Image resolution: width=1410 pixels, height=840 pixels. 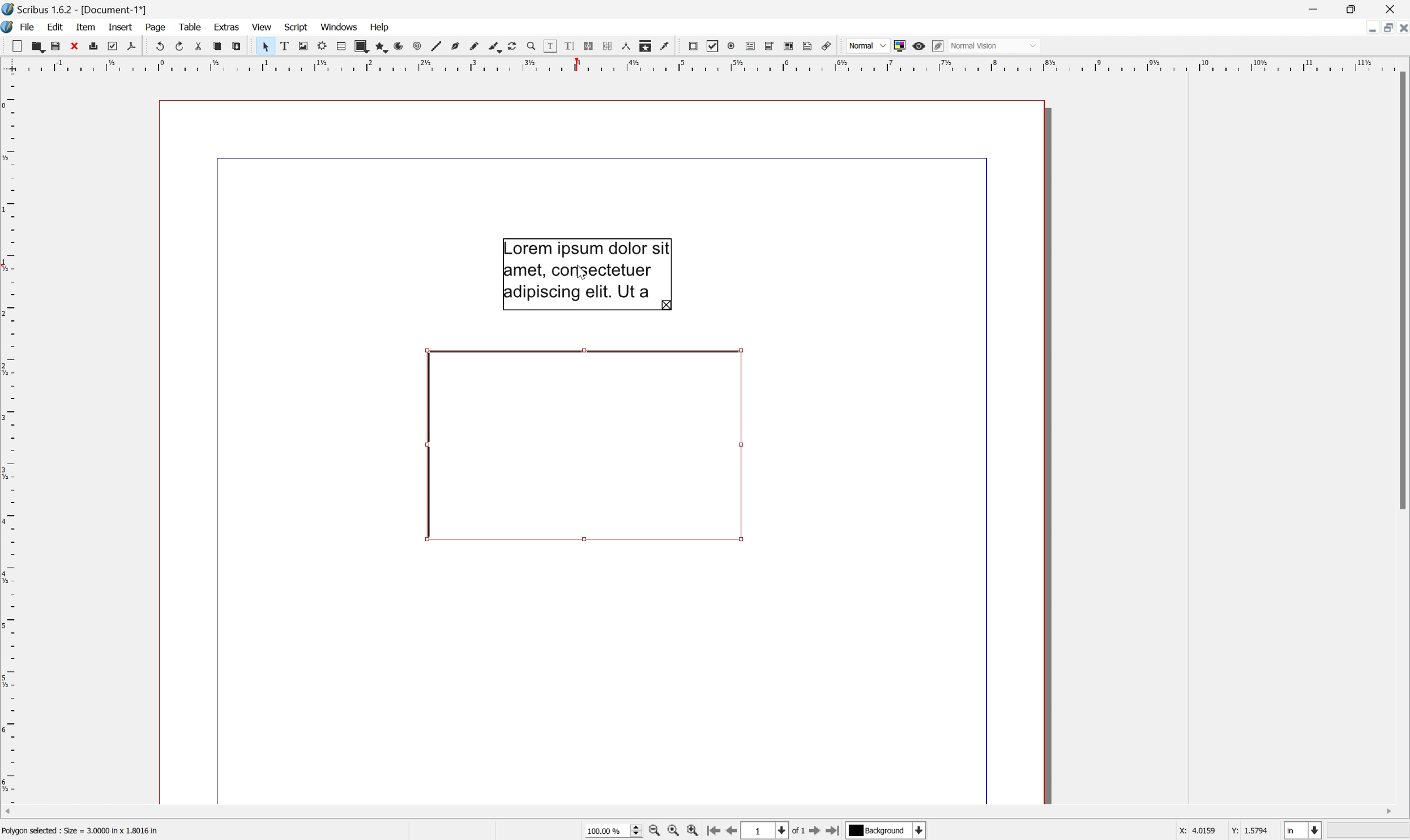 I want to click on Link text frames, so click(x=587, y=44).